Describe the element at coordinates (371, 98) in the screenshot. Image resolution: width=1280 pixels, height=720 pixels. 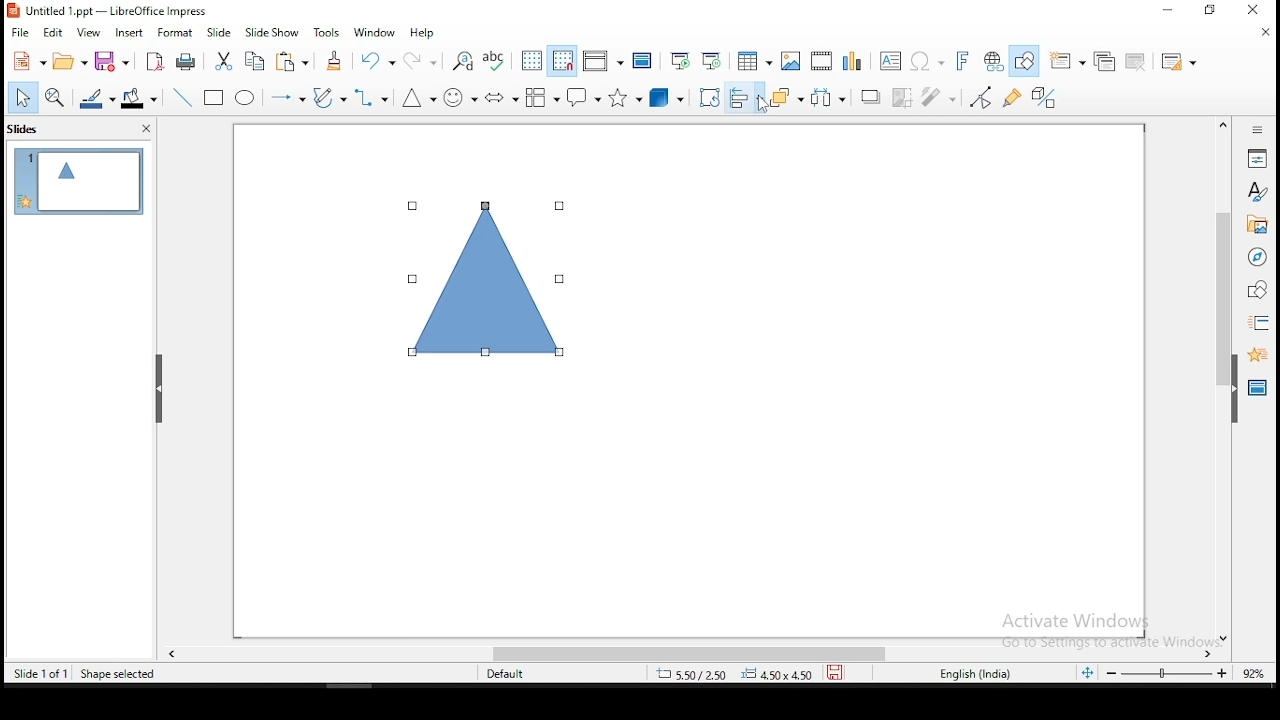
I see `connectors` at that location.